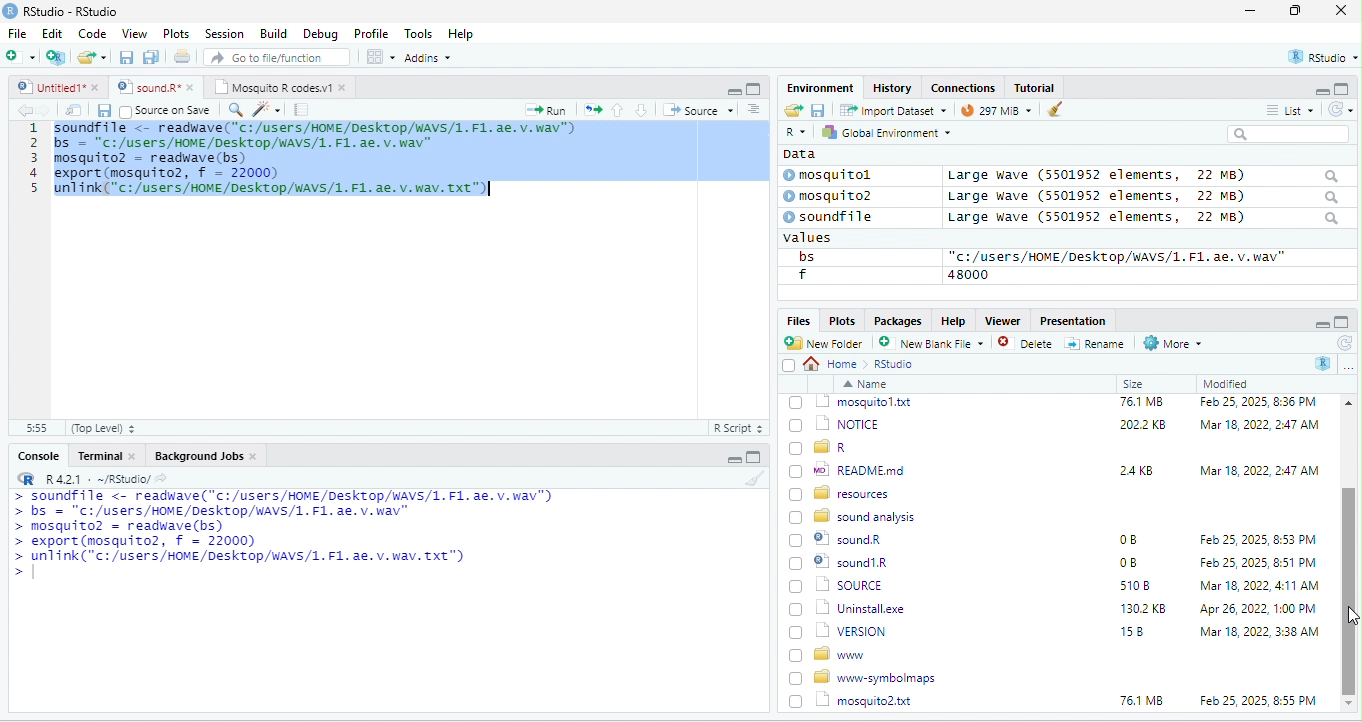  I want to click on # import Dataset, so click(891, 109).